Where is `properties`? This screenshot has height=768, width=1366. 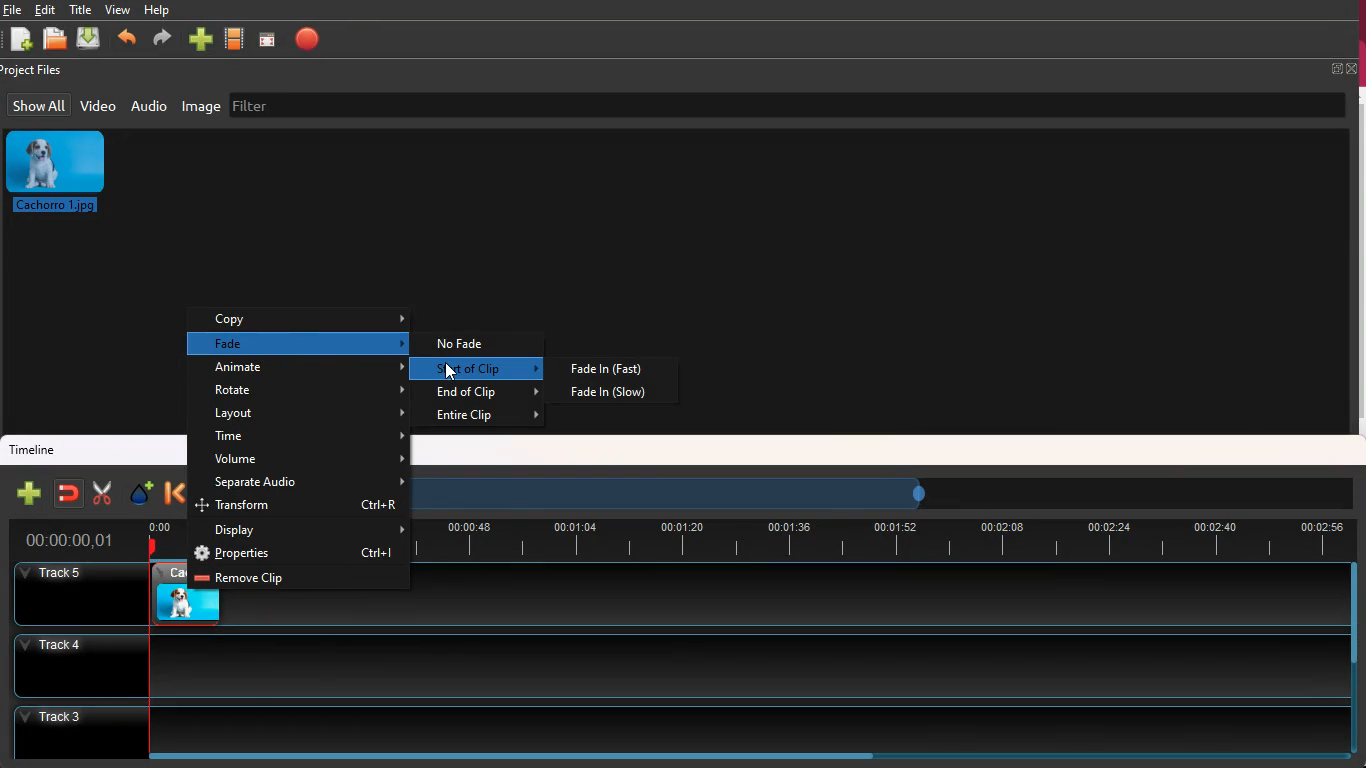 properties is located at coordinates (301, 554).